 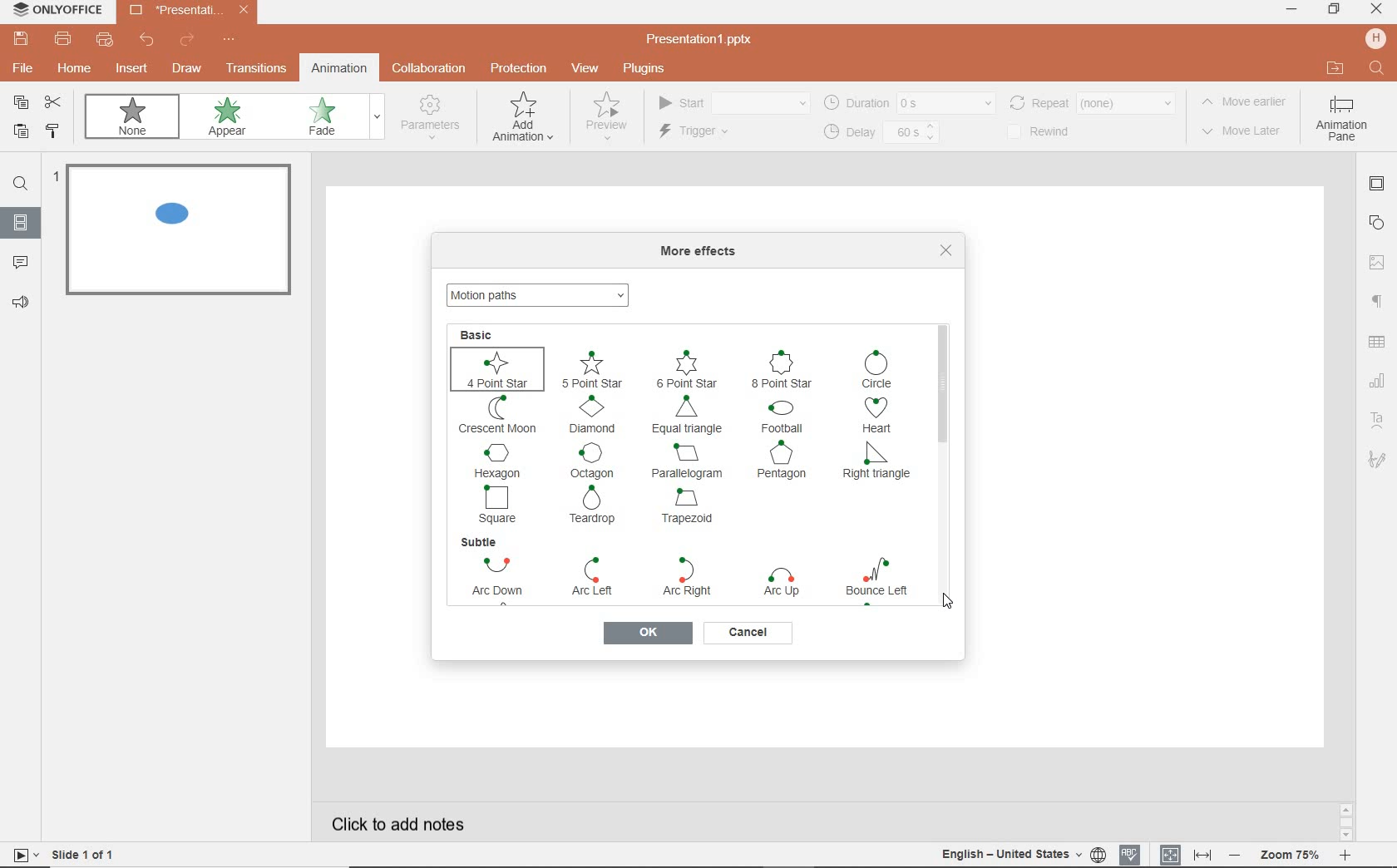 What do you see at coordinates (785, 462) in the screenshot?
I see `PENTAGON` at bounding box center [785, 462].